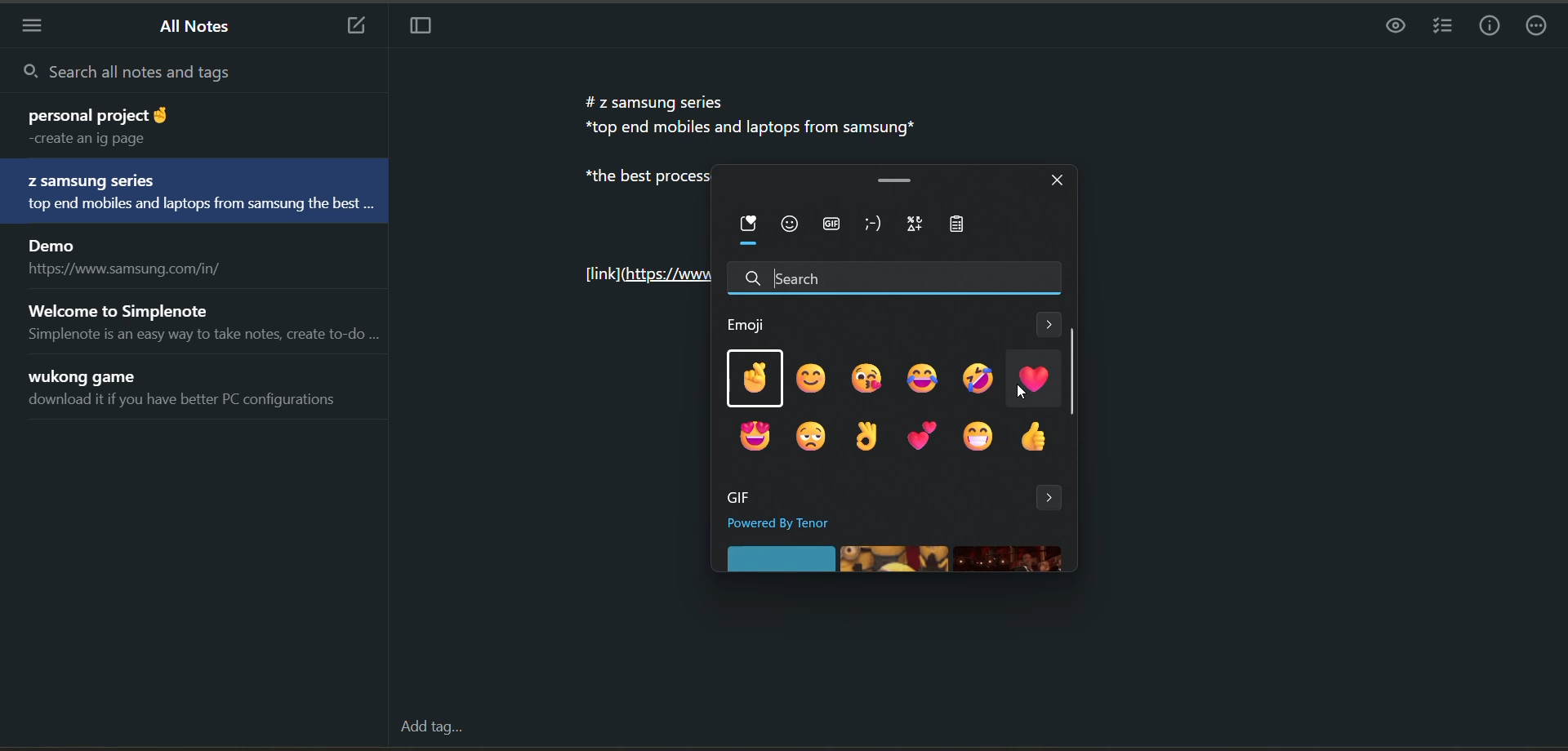  What do you see at coordinates (1072, 372) in the screenshot?
I see `vertical scroll bar` at bounding box center [1072, 372].